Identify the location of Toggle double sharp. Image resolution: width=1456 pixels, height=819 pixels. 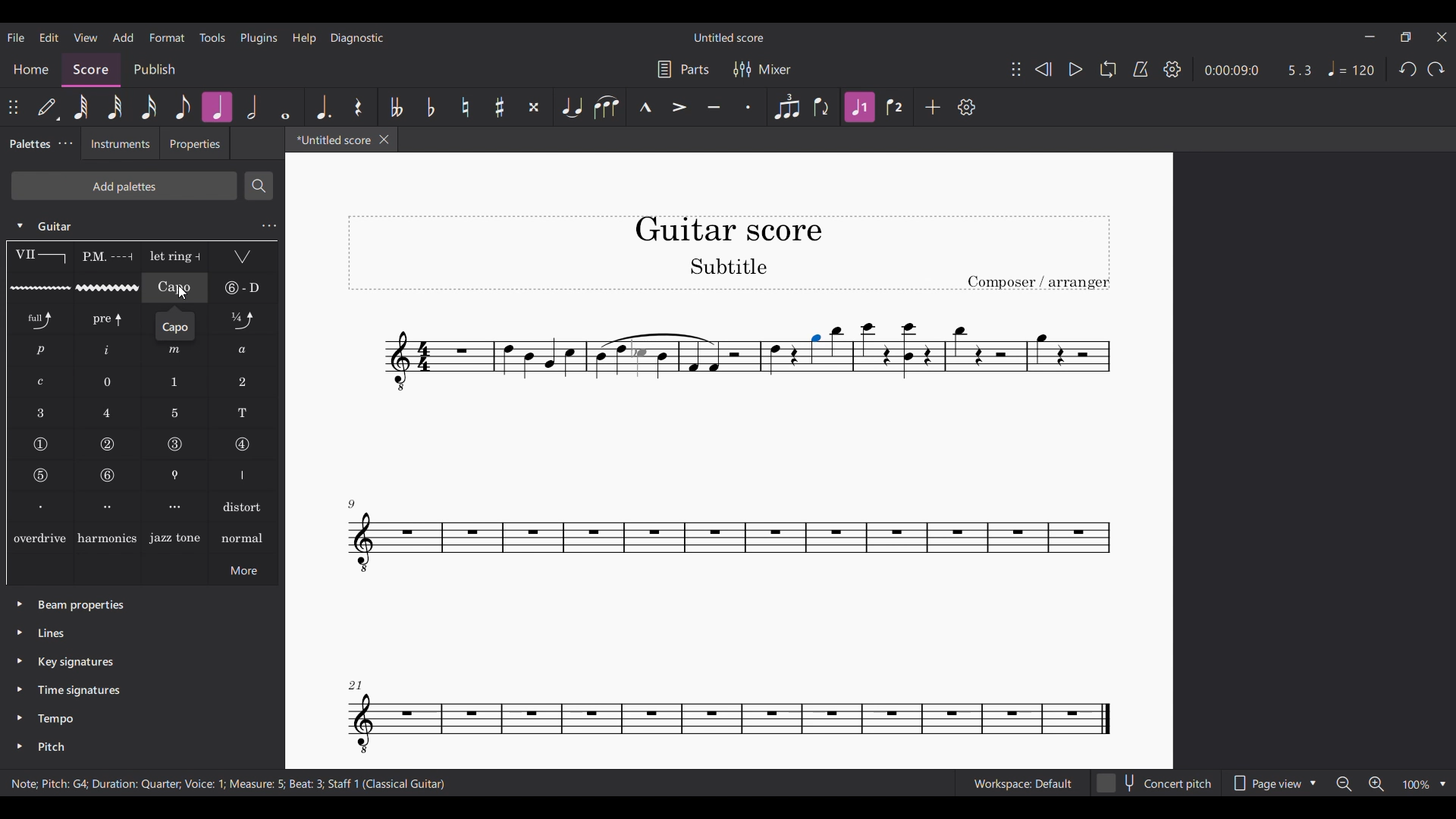
(534, 107).